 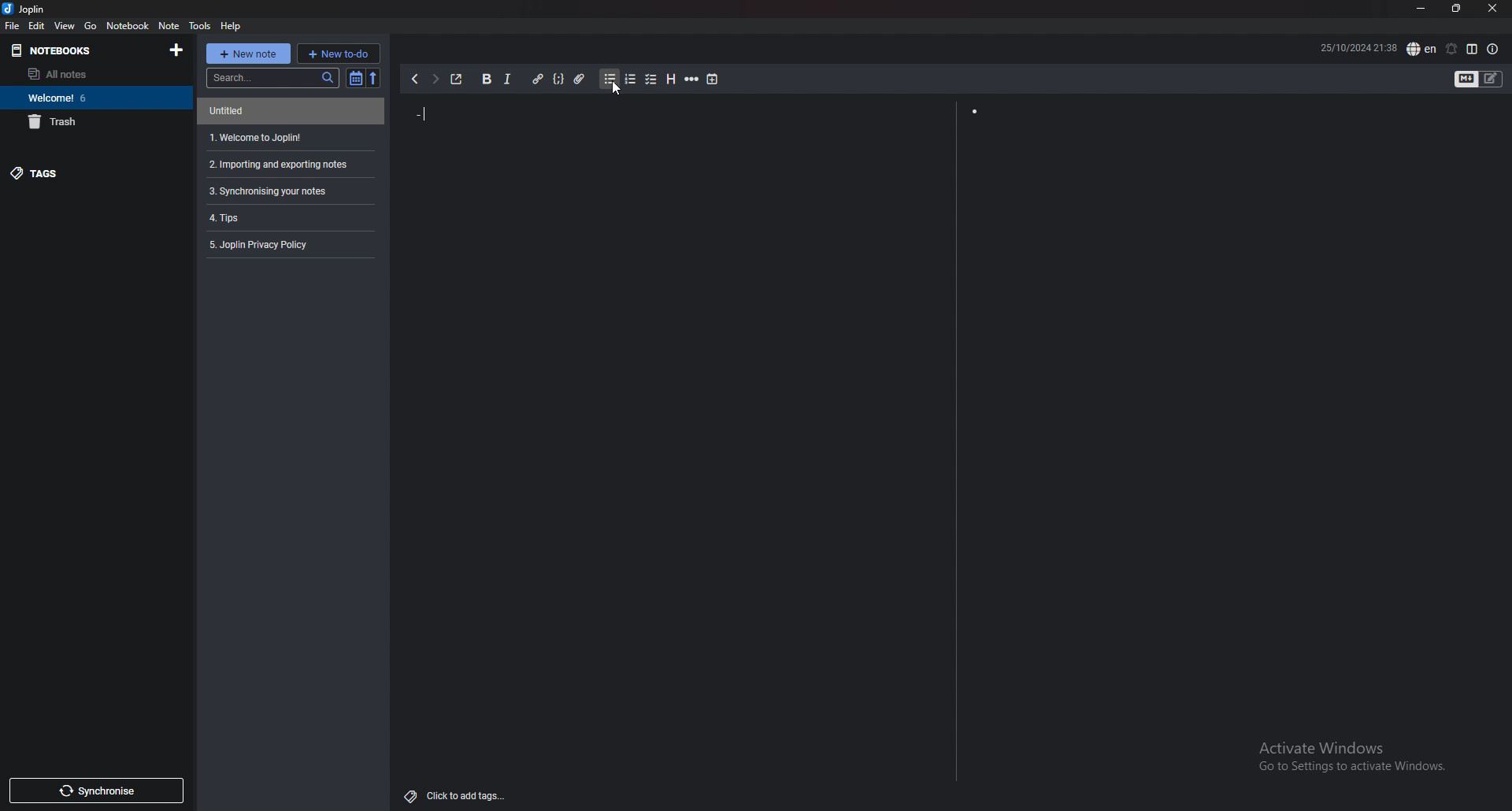 I want to click on Welcome to Joplin, so click(x=257, y=135).